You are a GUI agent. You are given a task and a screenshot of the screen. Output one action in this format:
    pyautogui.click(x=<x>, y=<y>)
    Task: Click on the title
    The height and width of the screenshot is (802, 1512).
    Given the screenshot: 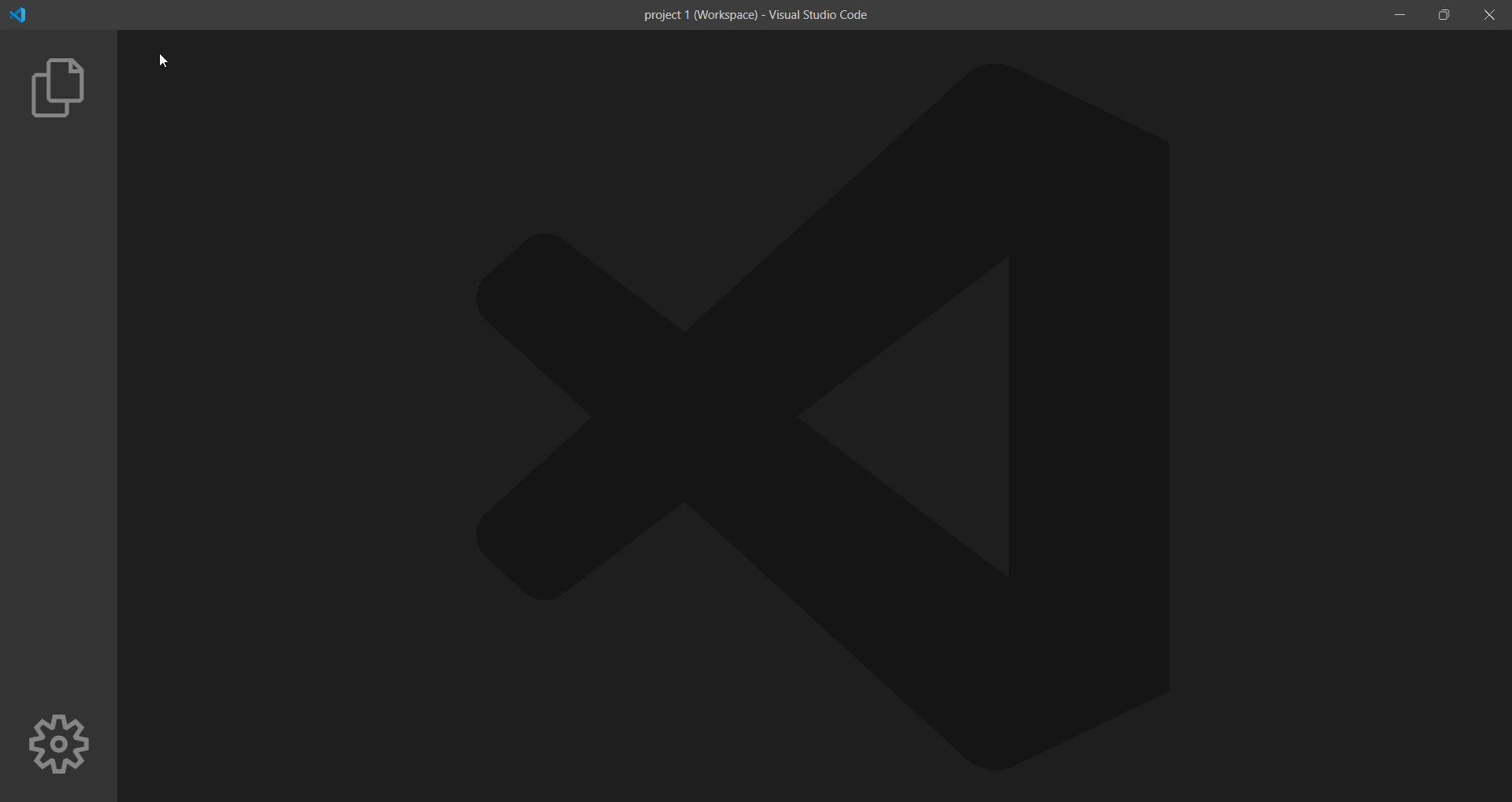 What is the action you would take?
    pyautogui.click(x=754, y=16)
    